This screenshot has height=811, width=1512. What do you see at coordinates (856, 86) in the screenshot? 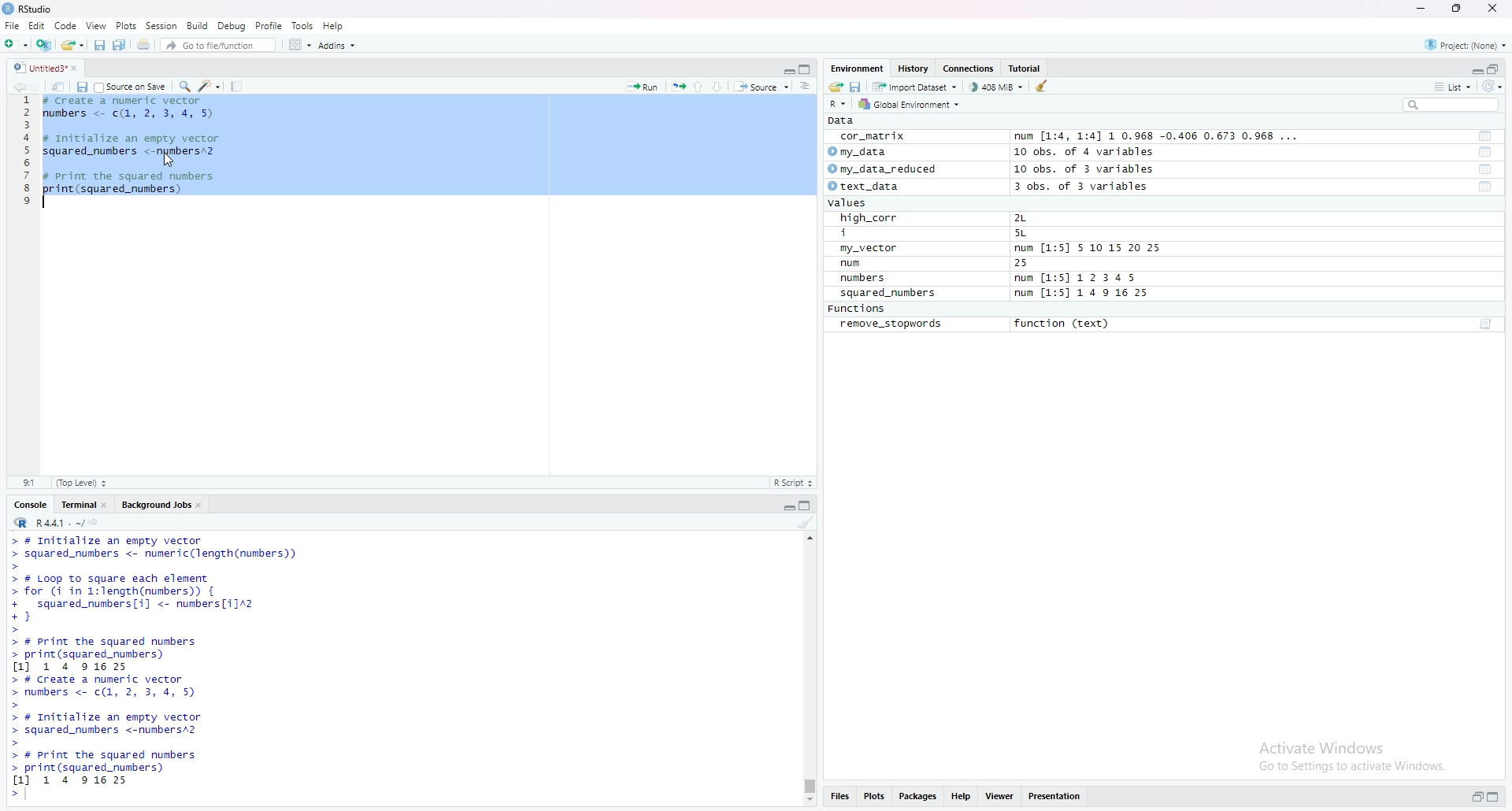
I see `save workspace` at bounding box center [856, 86].